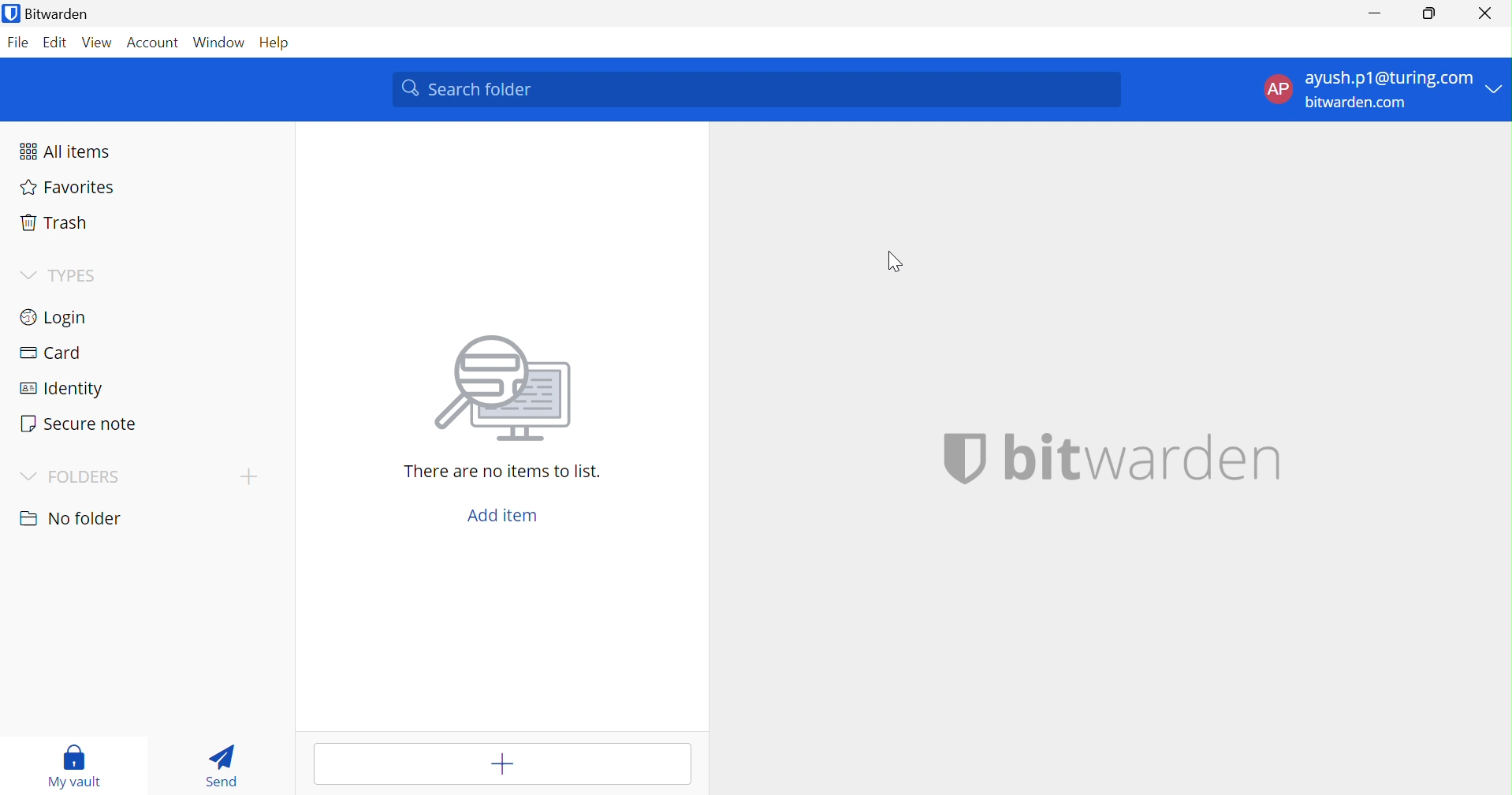 This screenshot has width=1512, height=795. Describe the element at coordinates (283, 43) in the screenshot. I see `Help` at that location.